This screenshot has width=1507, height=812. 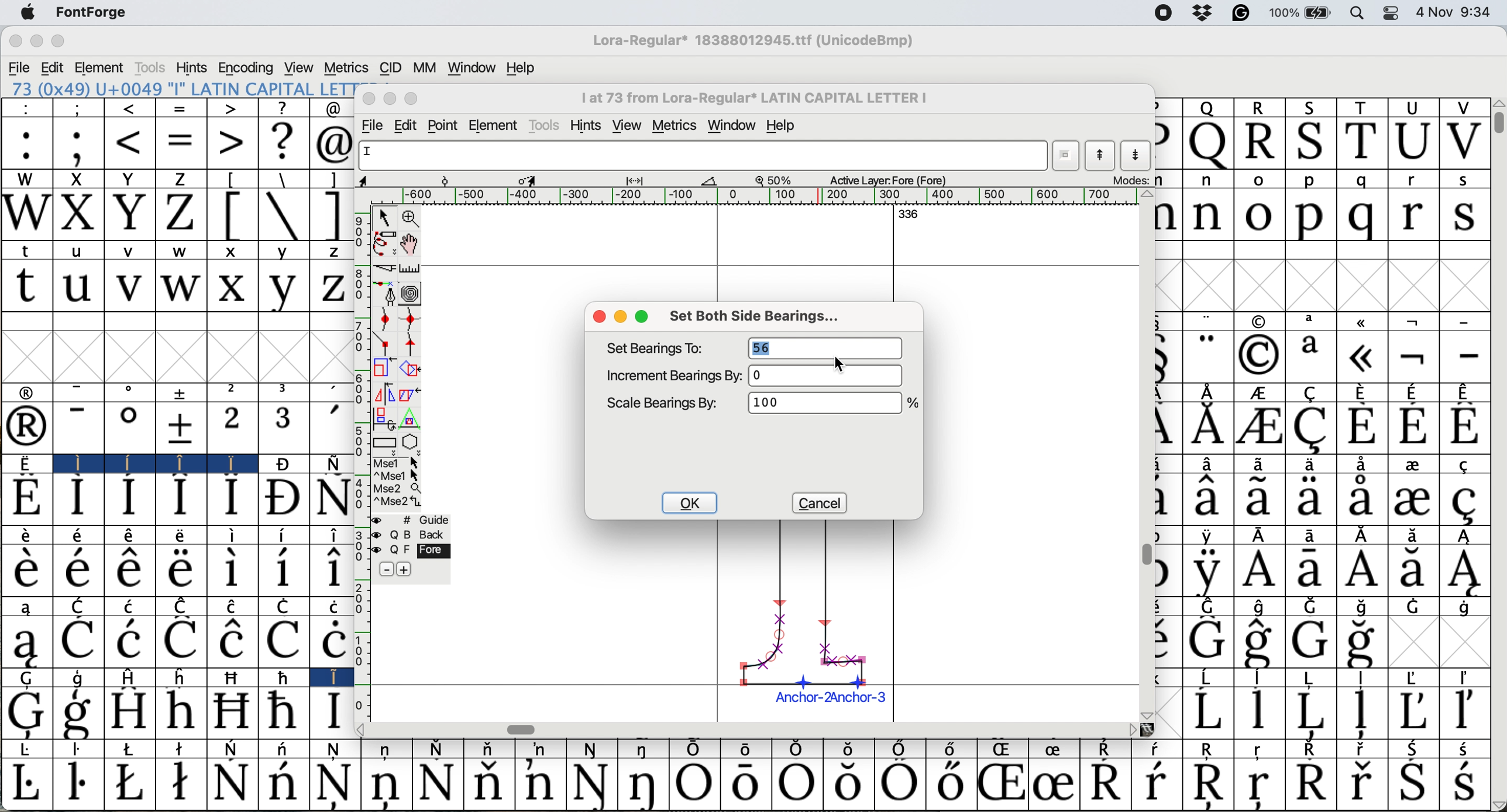 What do you see at coordinates (29, 750) in the screenshot?
I see `Symbol` at bounding box center [29, 750].